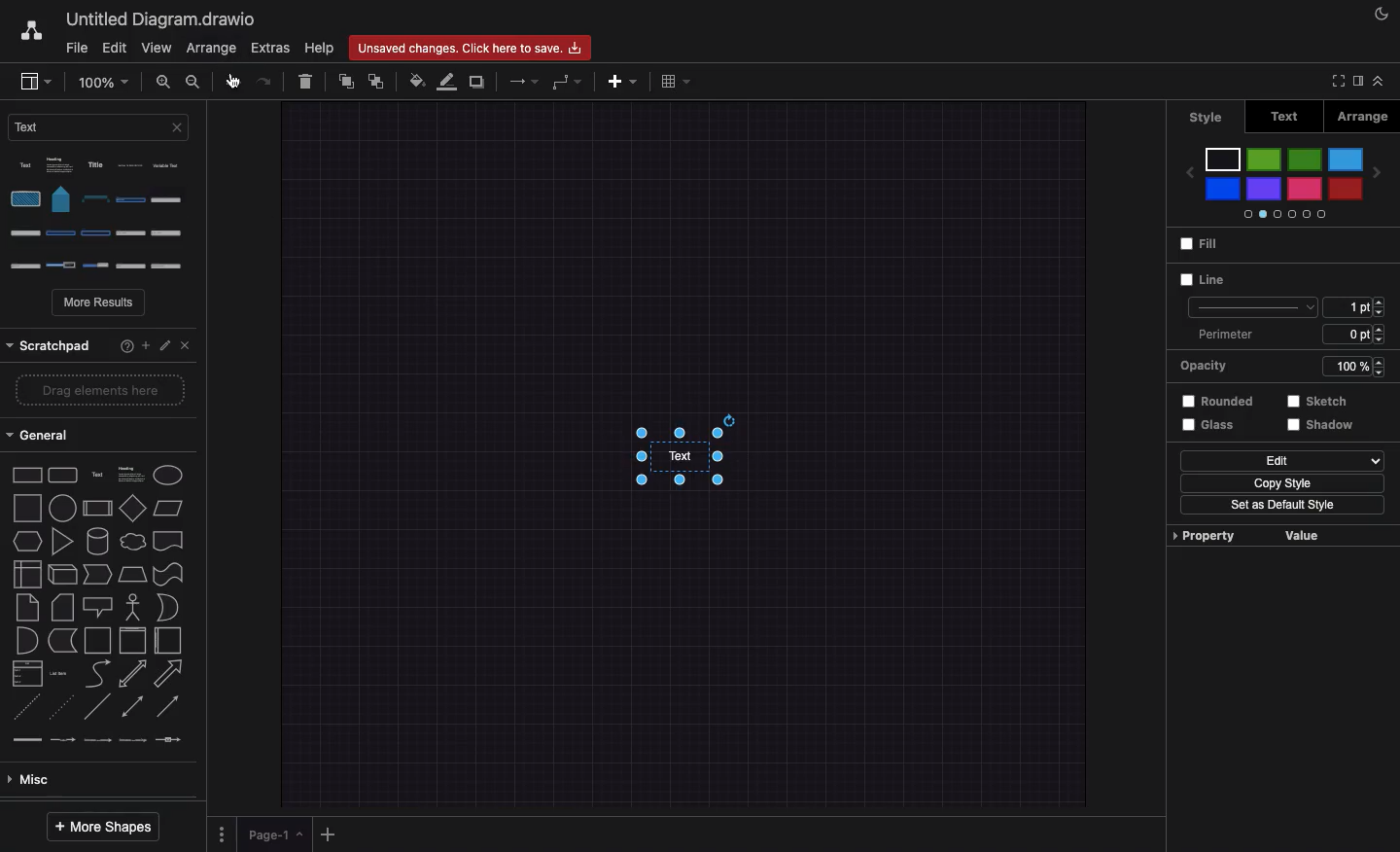 Image resolution: width=1400 pixels, height=852 pixels. Describe the element at coordinates (102, 81) in the screenshot. I see `Zoom` at that location.